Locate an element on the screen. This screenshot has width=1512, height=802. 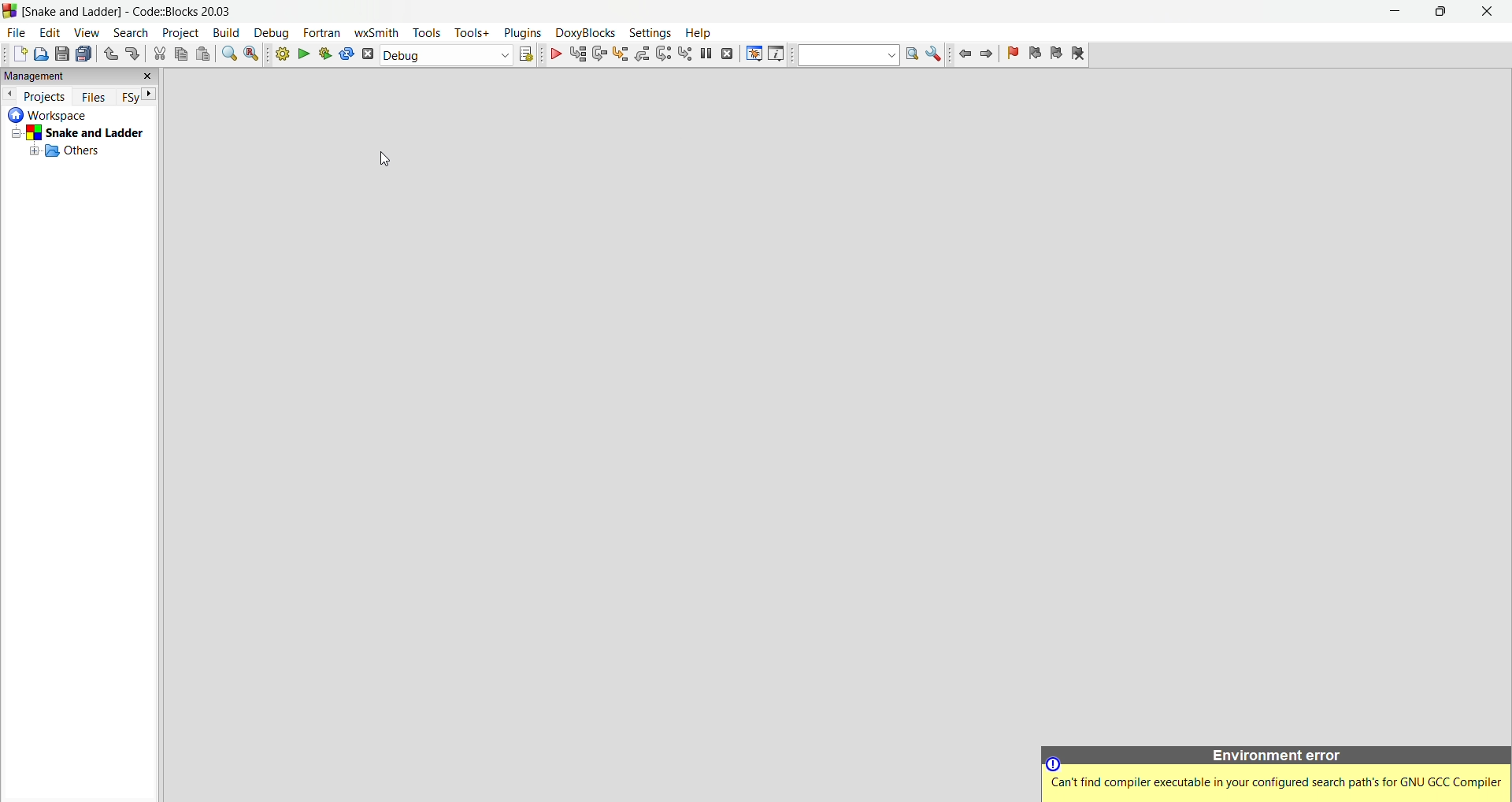
open is located at coordinates (41, 54).